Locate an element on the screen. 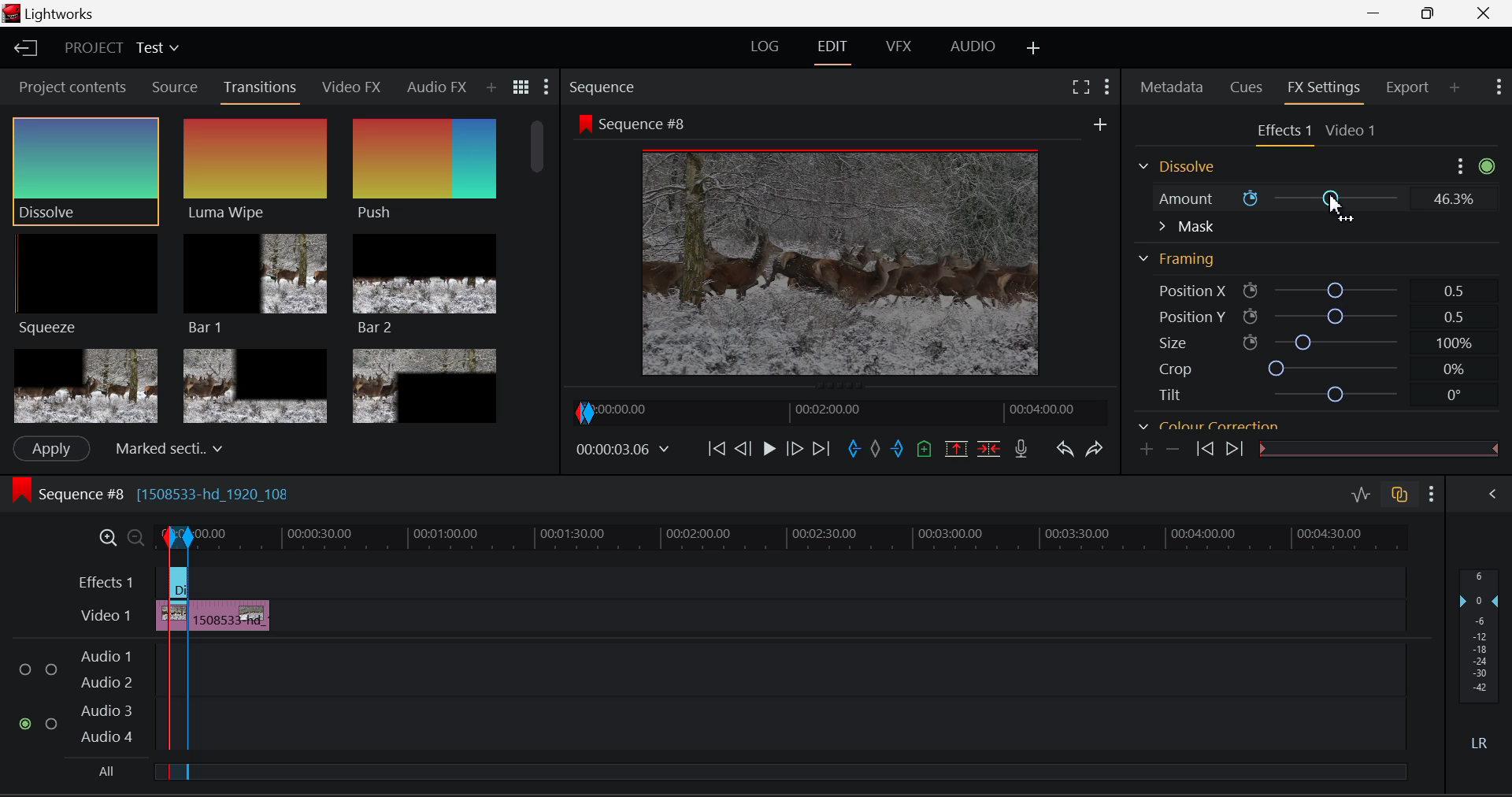 This screenshot has height=797, width=1512. Project contents is located at coordinates (70, 86).